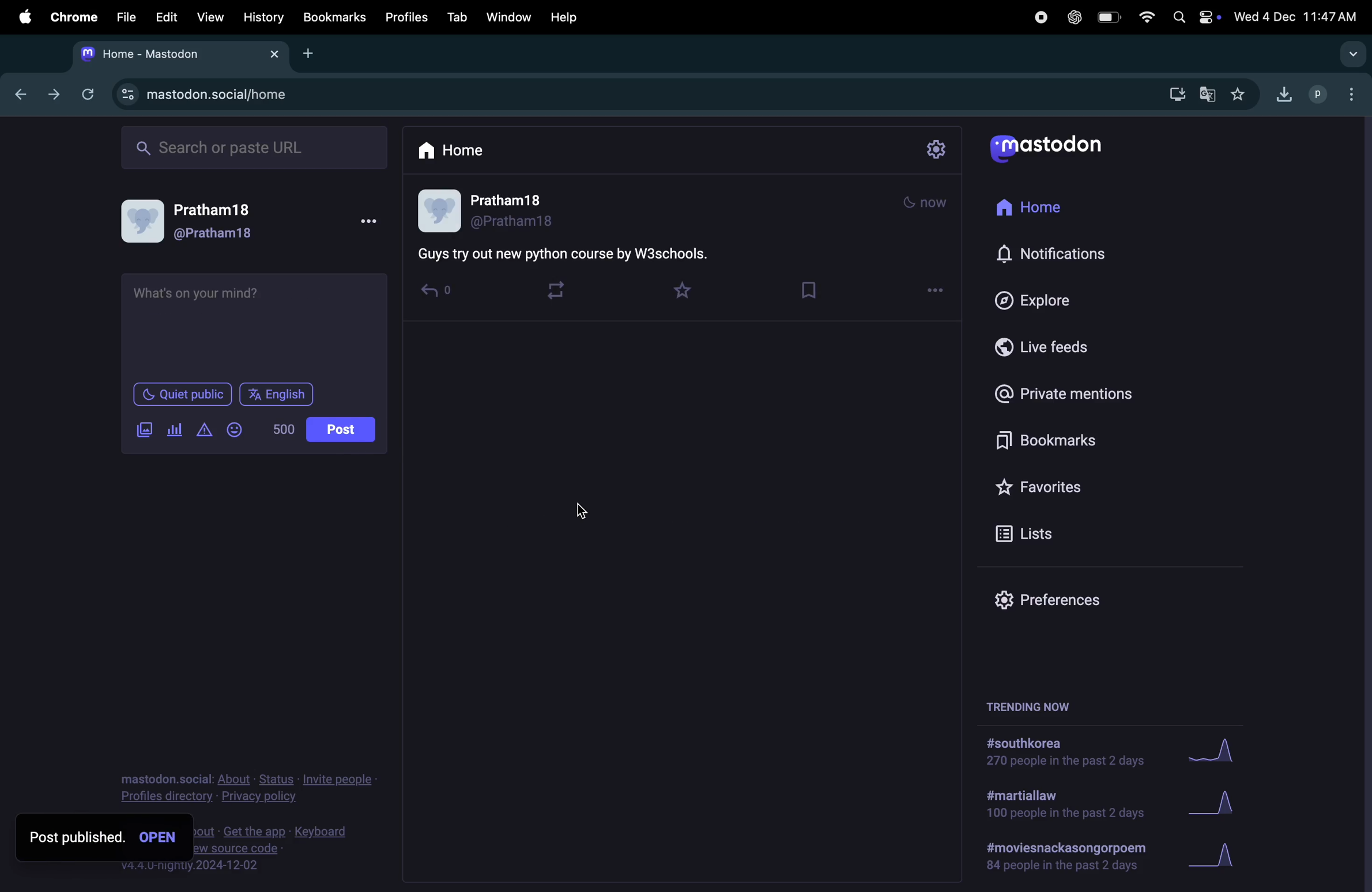 This screenshot has width=1372, height=892. I want to click on apple widgets, so click(1193, 16).